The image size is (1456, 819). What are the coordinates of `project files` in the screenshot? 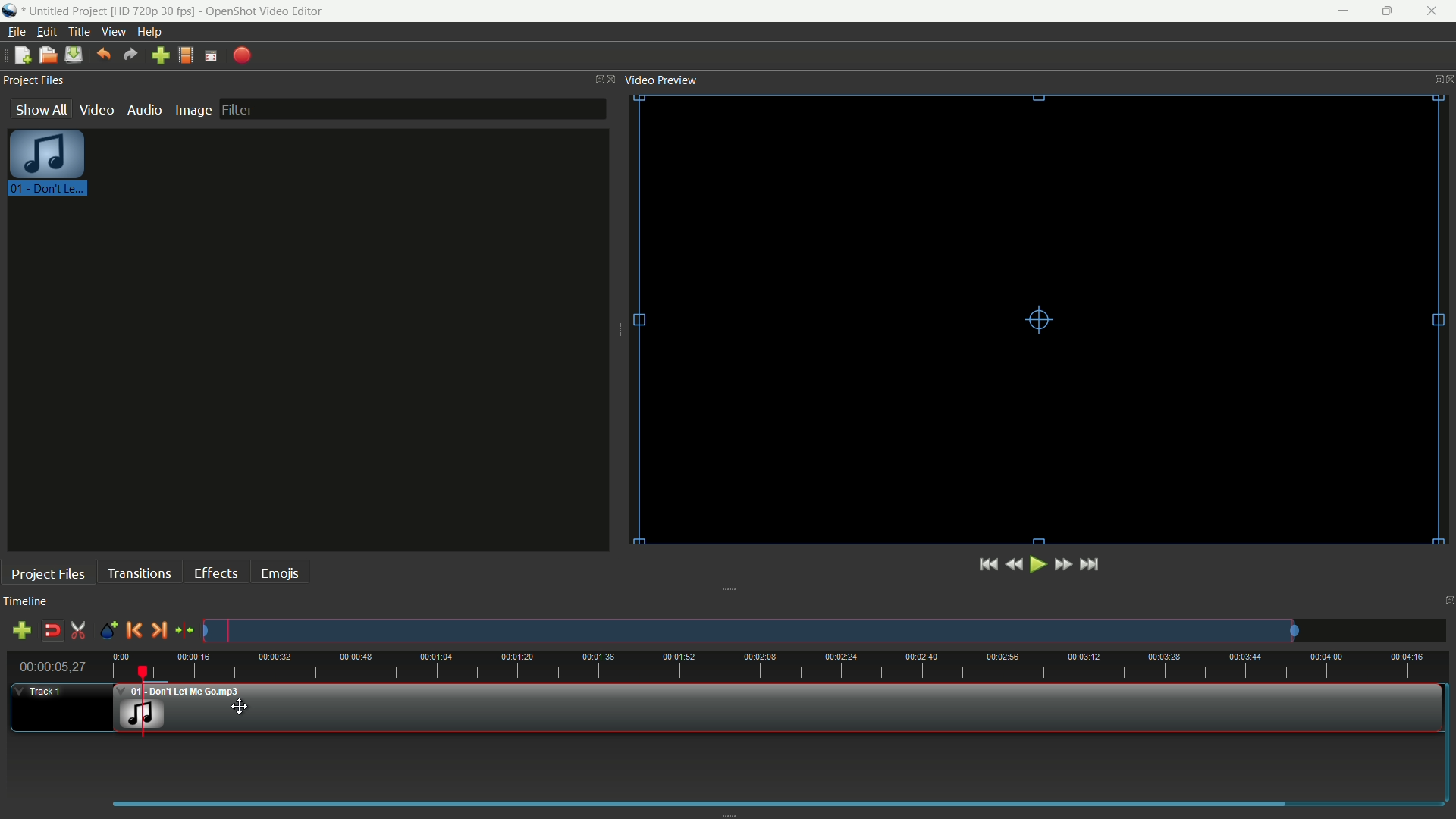 It's located at (47, 573).